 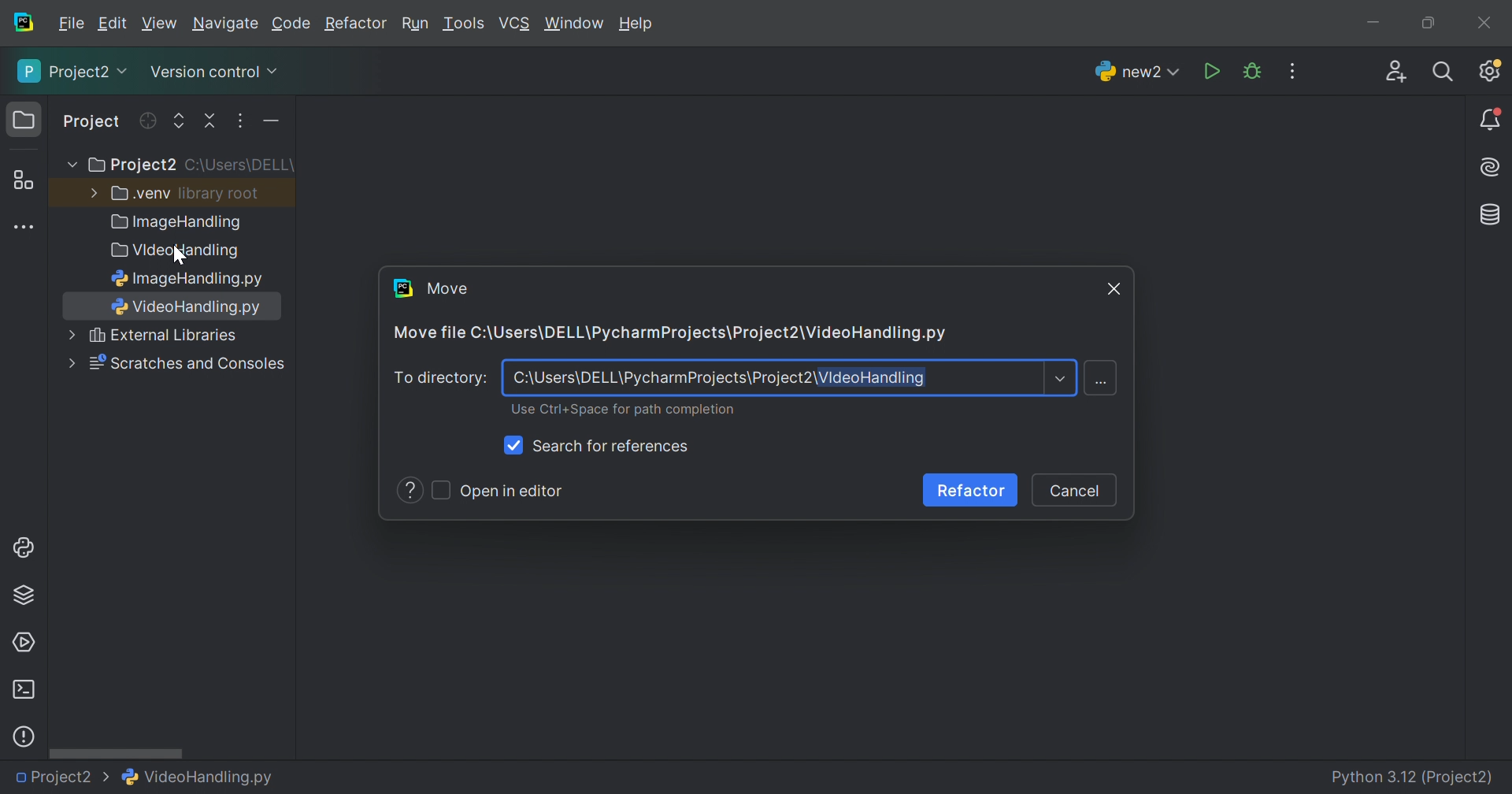 What do you see at coordinates (24, 736) in the screenshot?
I see `Problems` at bounding box center [24, 736].